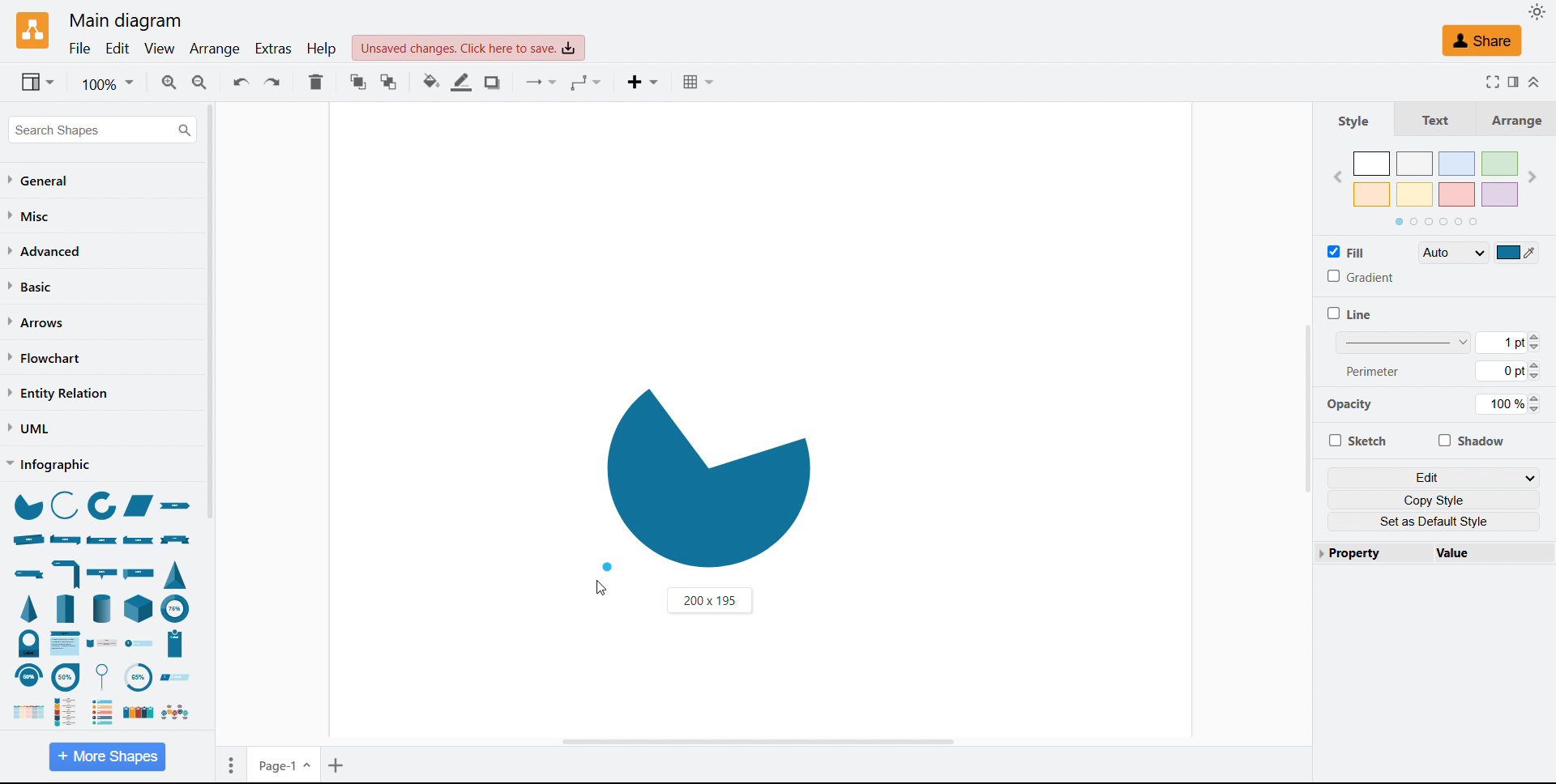 This screenshot has height=784, width=1556. Describe the element at coordinates (1453, 252) in the screenshot. I see `select fill type ` at that location.